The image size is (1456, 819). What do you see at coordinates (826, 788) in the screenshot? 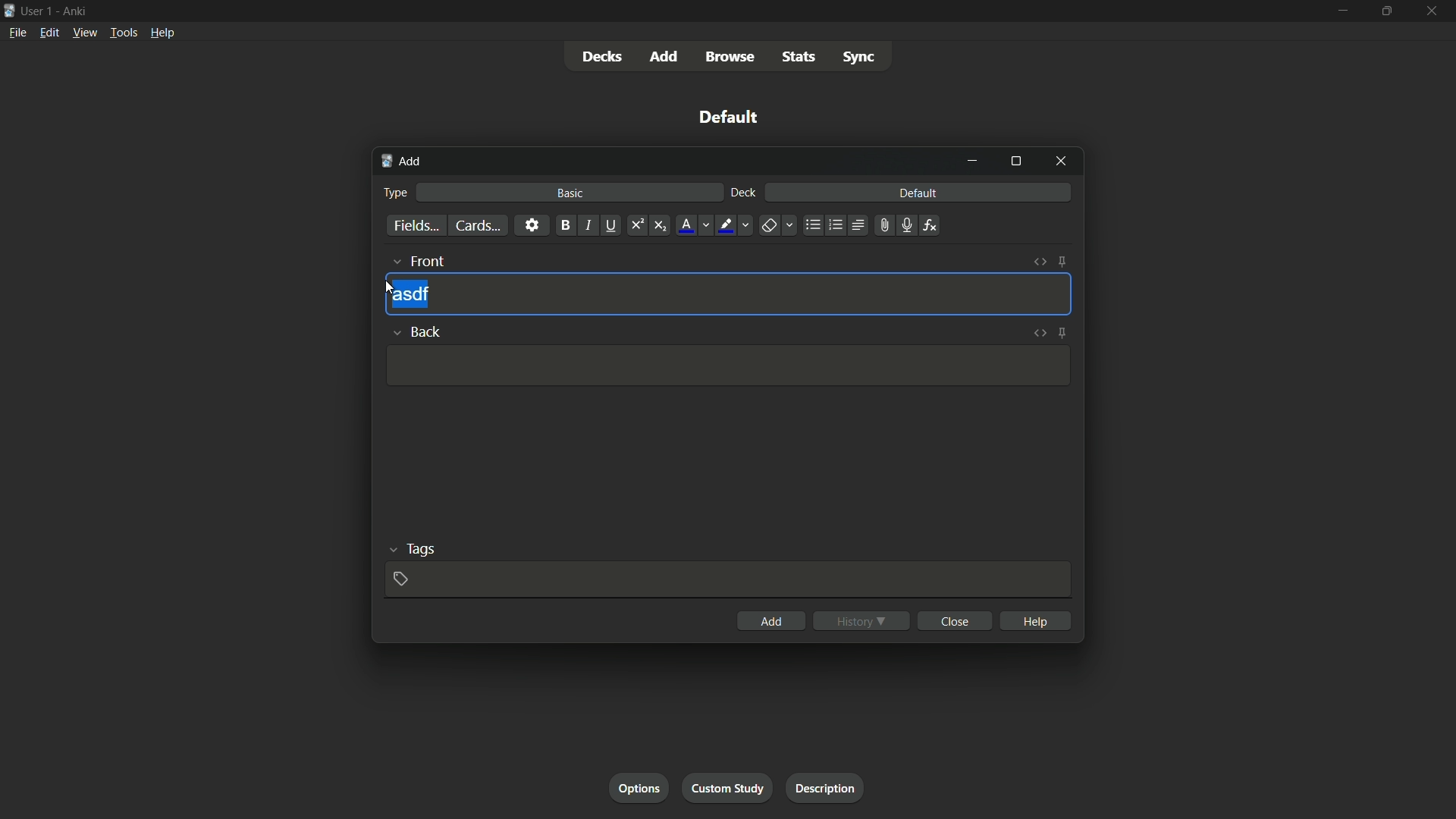
I see `description` at bounding box center [826, 788].